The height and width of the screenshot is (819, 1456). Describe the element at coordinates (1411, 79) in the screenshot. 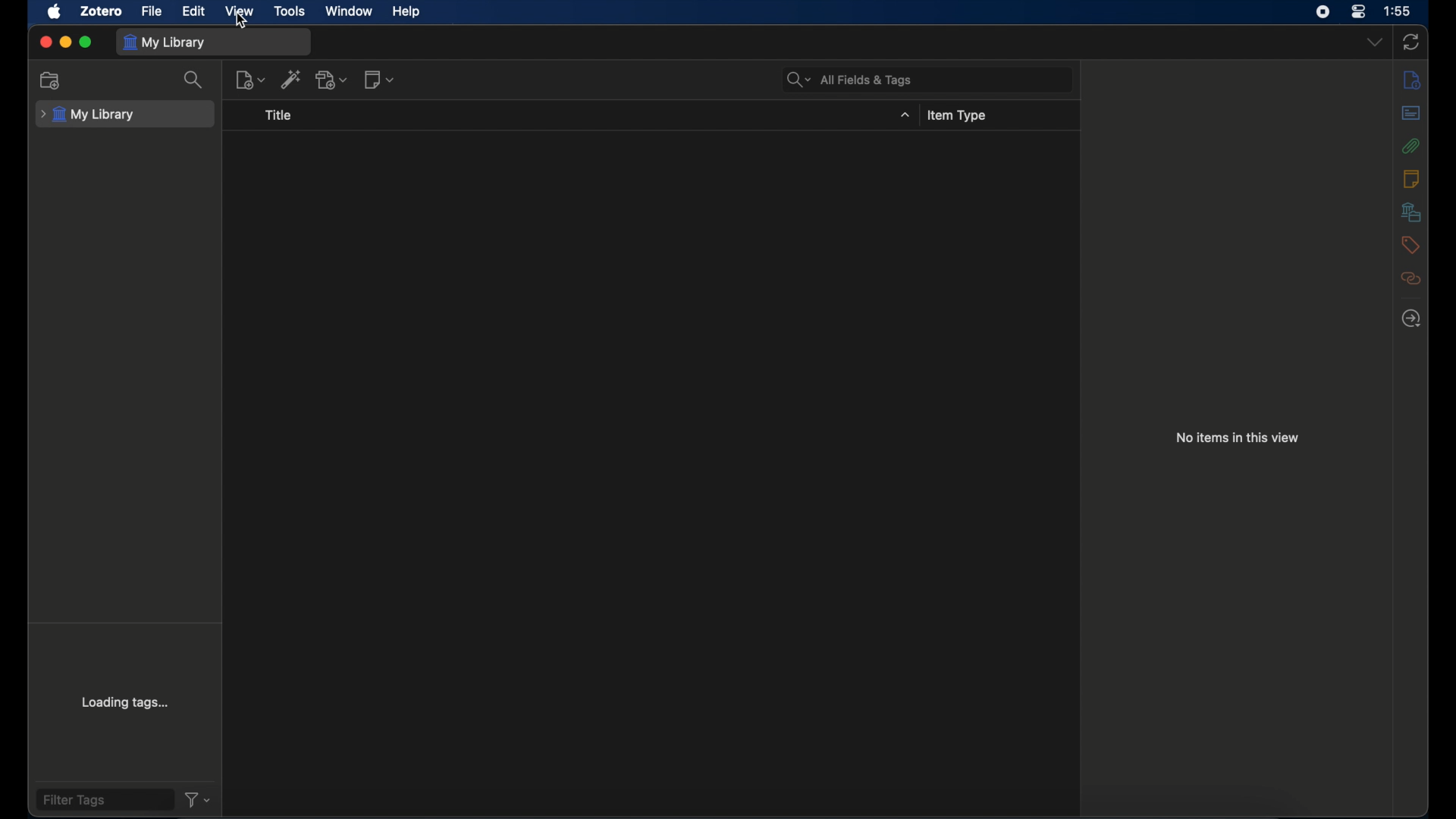

I see `info` at that location.